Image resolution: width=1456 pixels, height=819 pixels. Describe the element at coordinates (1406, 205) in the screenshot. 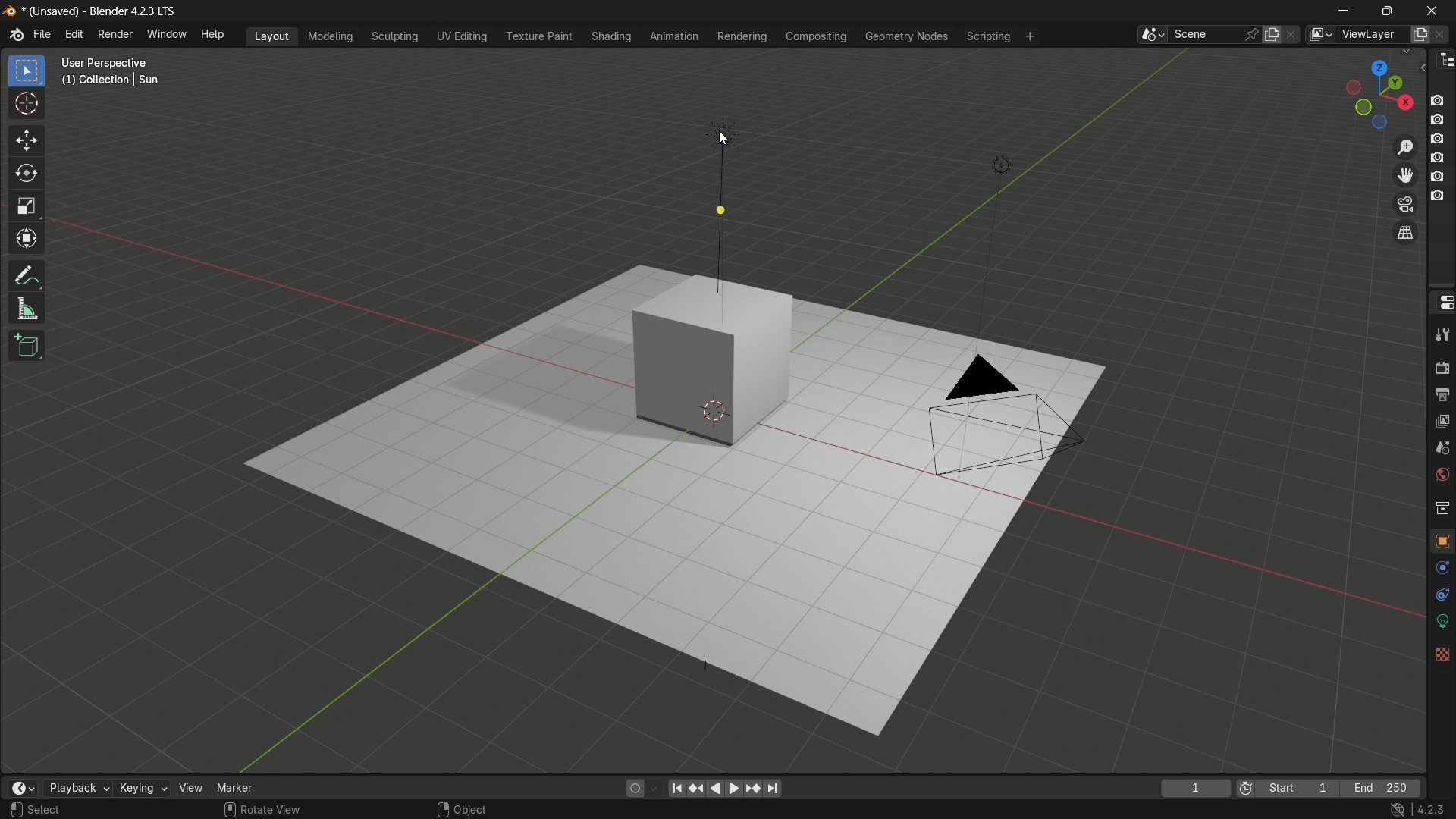

I see `toggle the camera view` at that location.